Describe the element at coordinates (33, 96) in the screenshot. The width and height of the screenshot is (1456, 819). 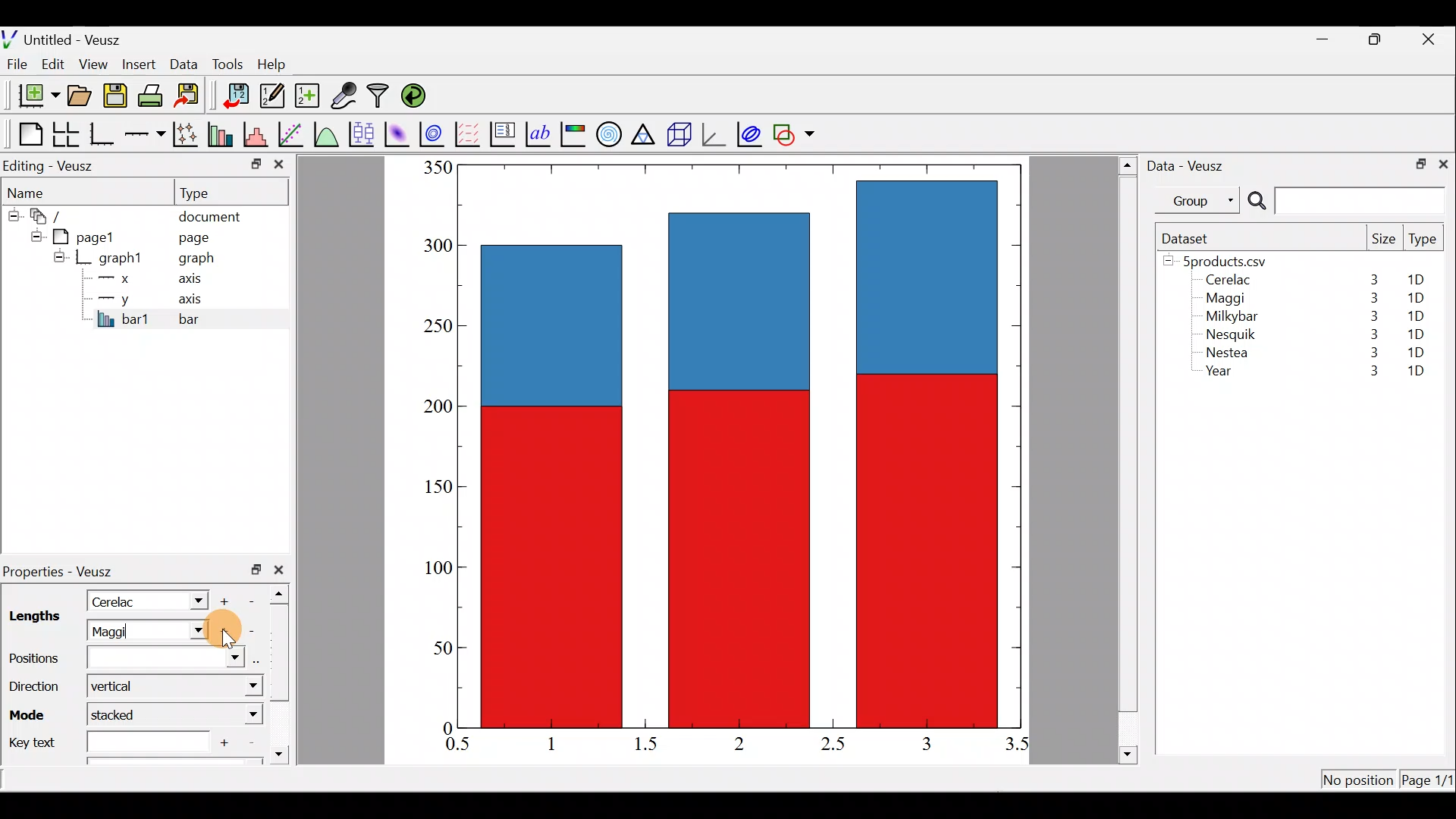
I see `New document` at that location.